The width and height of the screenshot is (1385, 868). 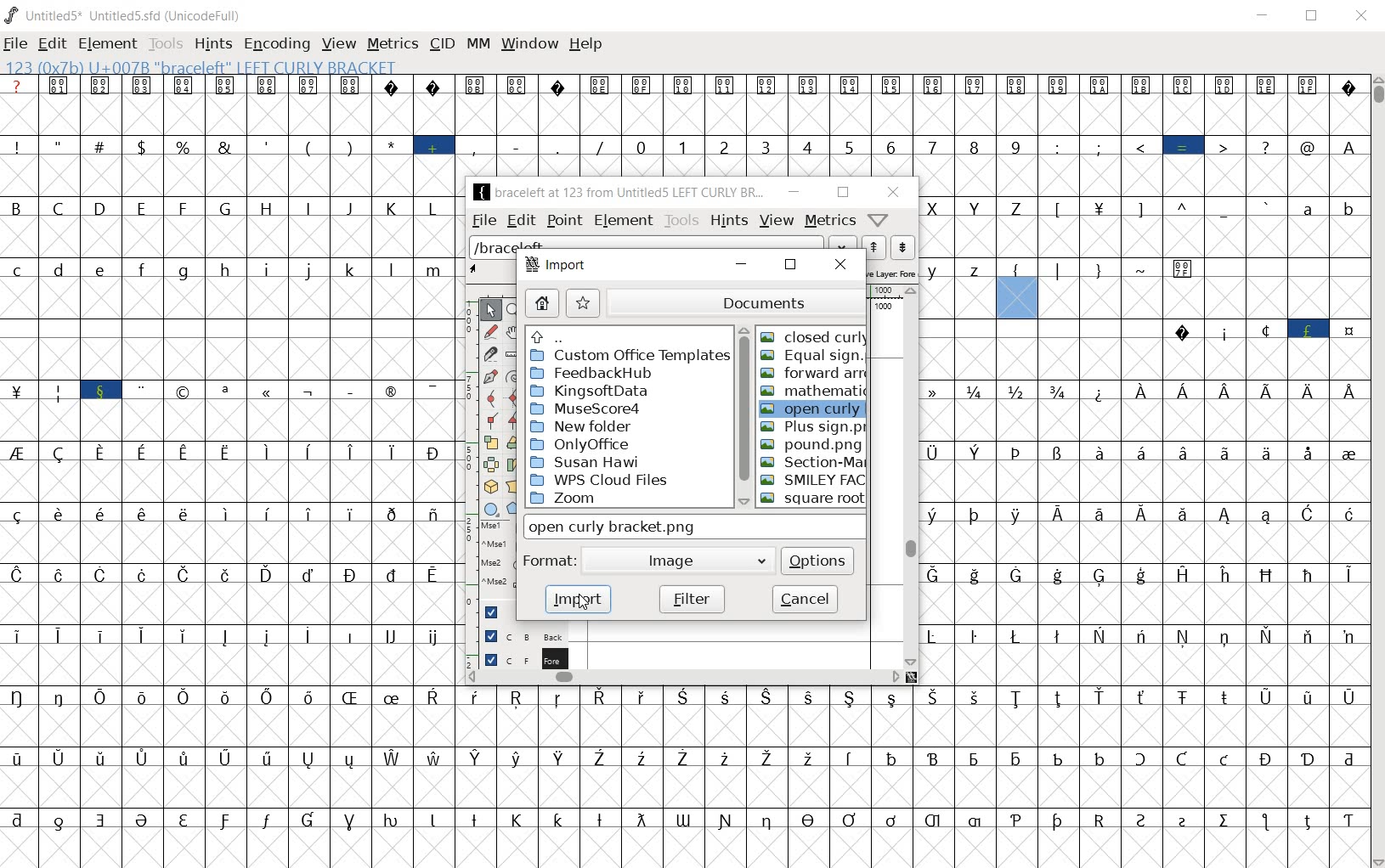 What do you see at coordinates (441, 43) in the screenshot?
I see `cid` at bounding box center [441, 43].